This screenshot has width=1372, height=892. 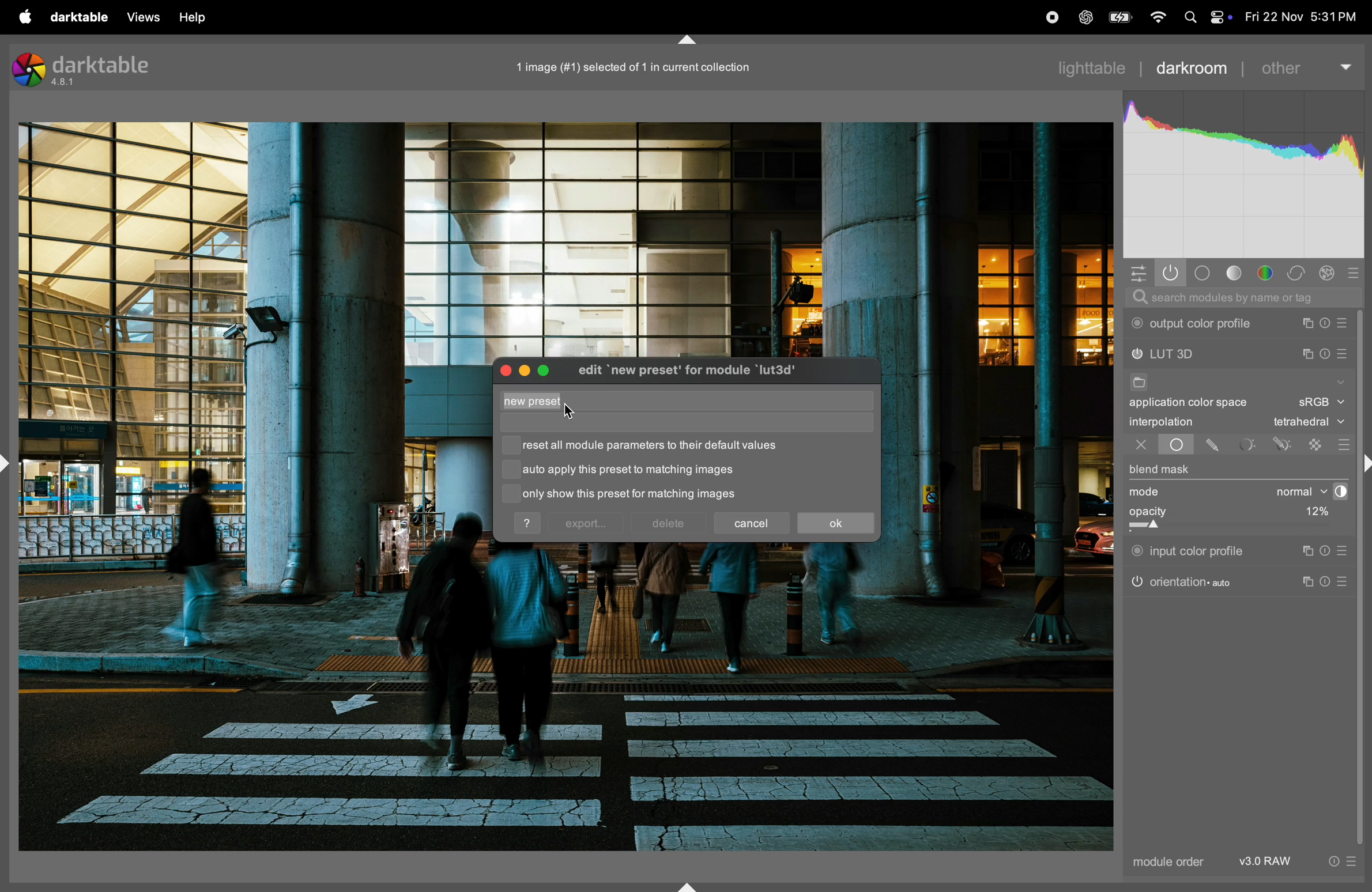 What do you see at coordinates (1160, 471) in the screenshot?
I see `blend mask` at bounding box center [1160, 471].